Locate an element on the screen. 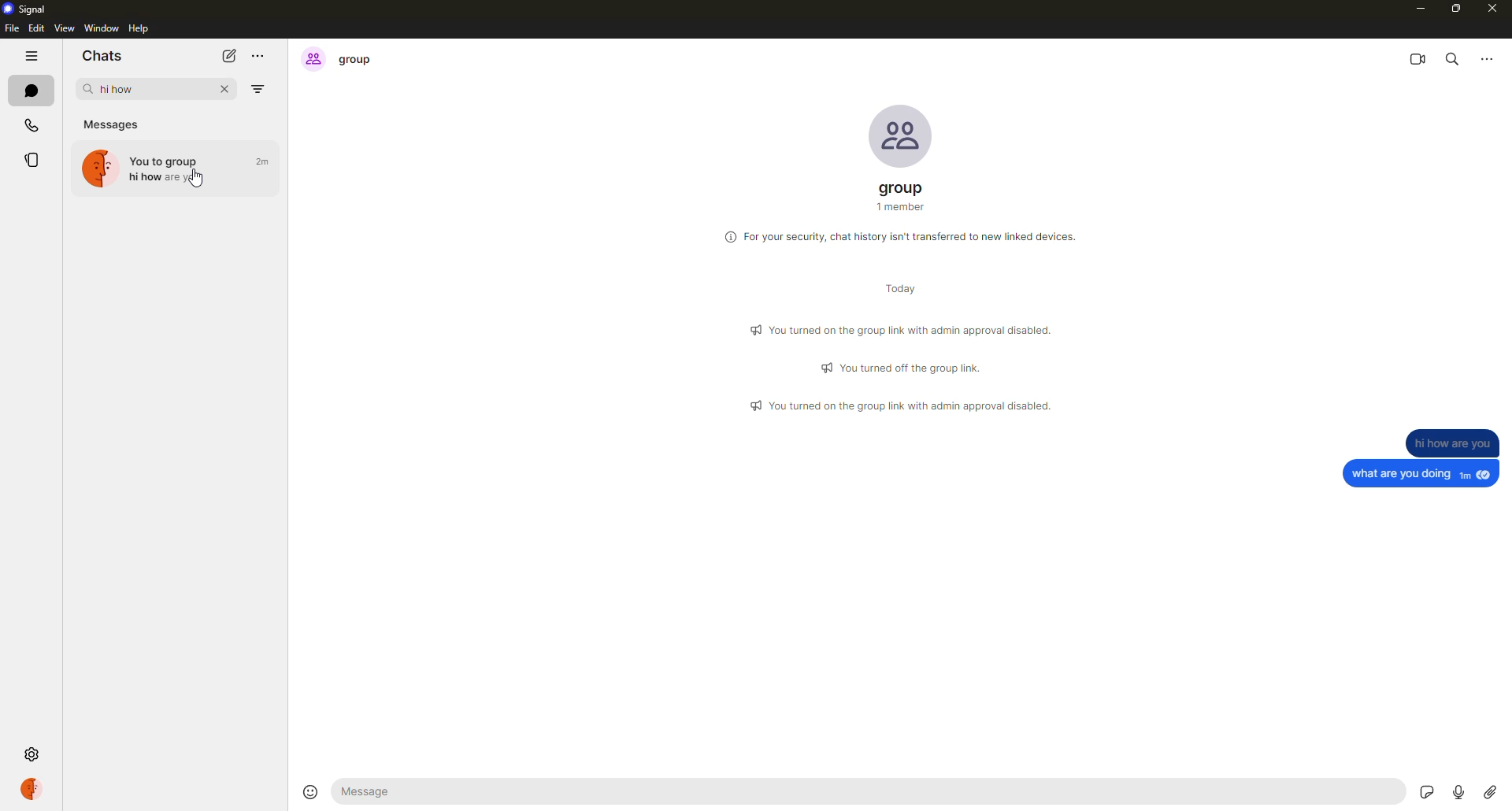 The width and height of the screenshot is (1512, 811). message is located at coordinates (1422, 473).